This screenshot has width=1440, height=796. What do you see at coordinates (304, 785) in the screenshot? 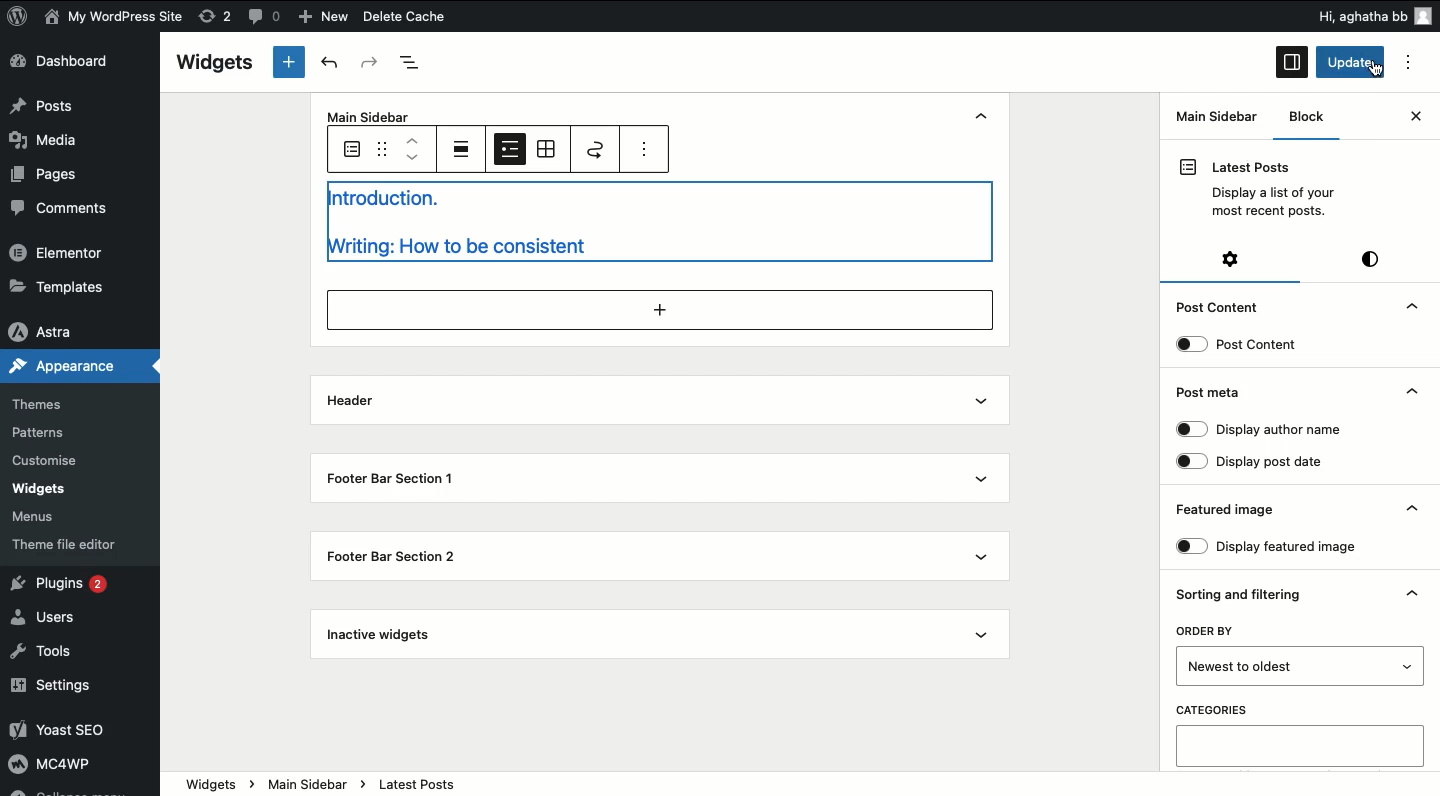
I see `main sidebar` at bounding box center [304, 785].